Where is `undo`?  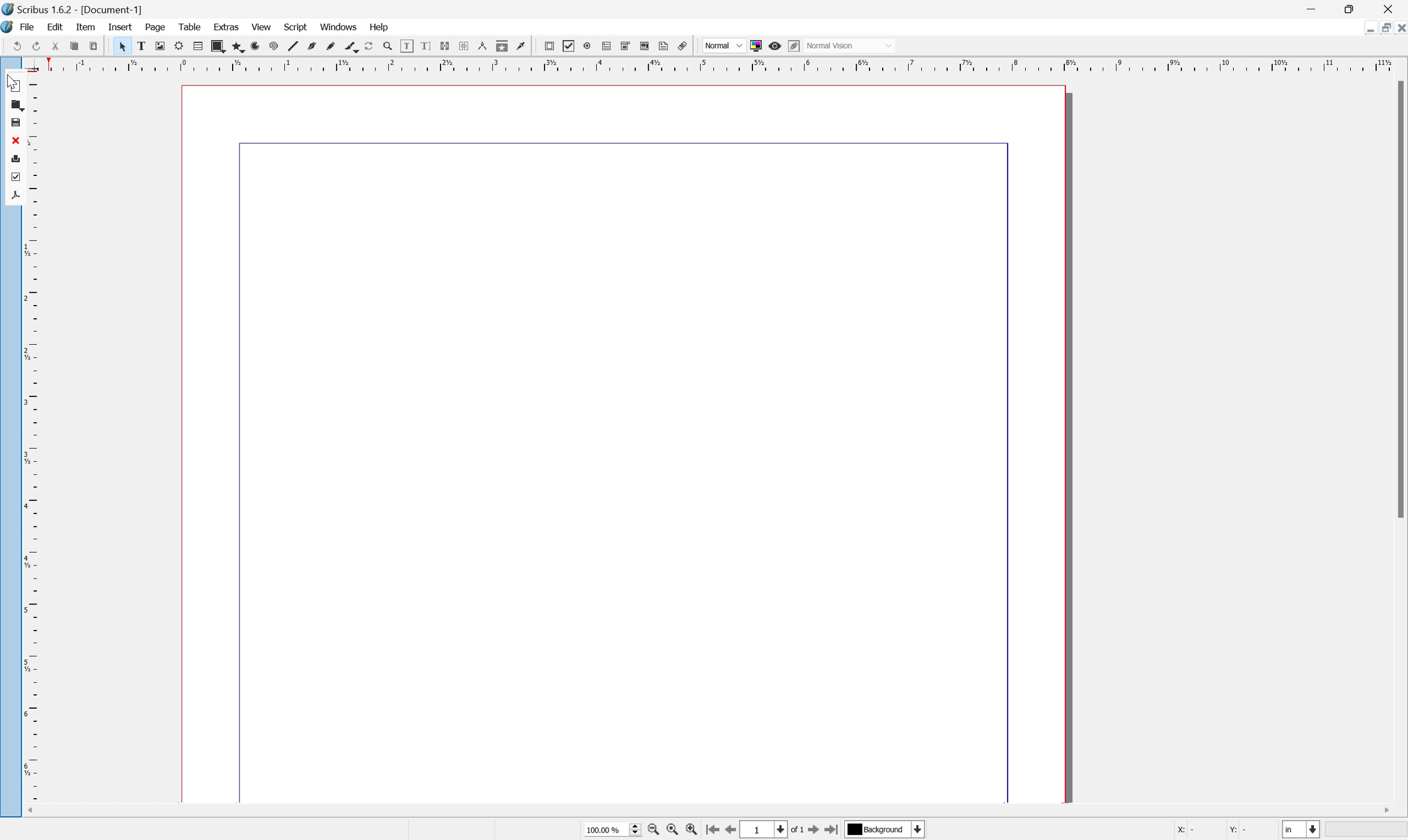 undo is located at coordinates (161, 46).